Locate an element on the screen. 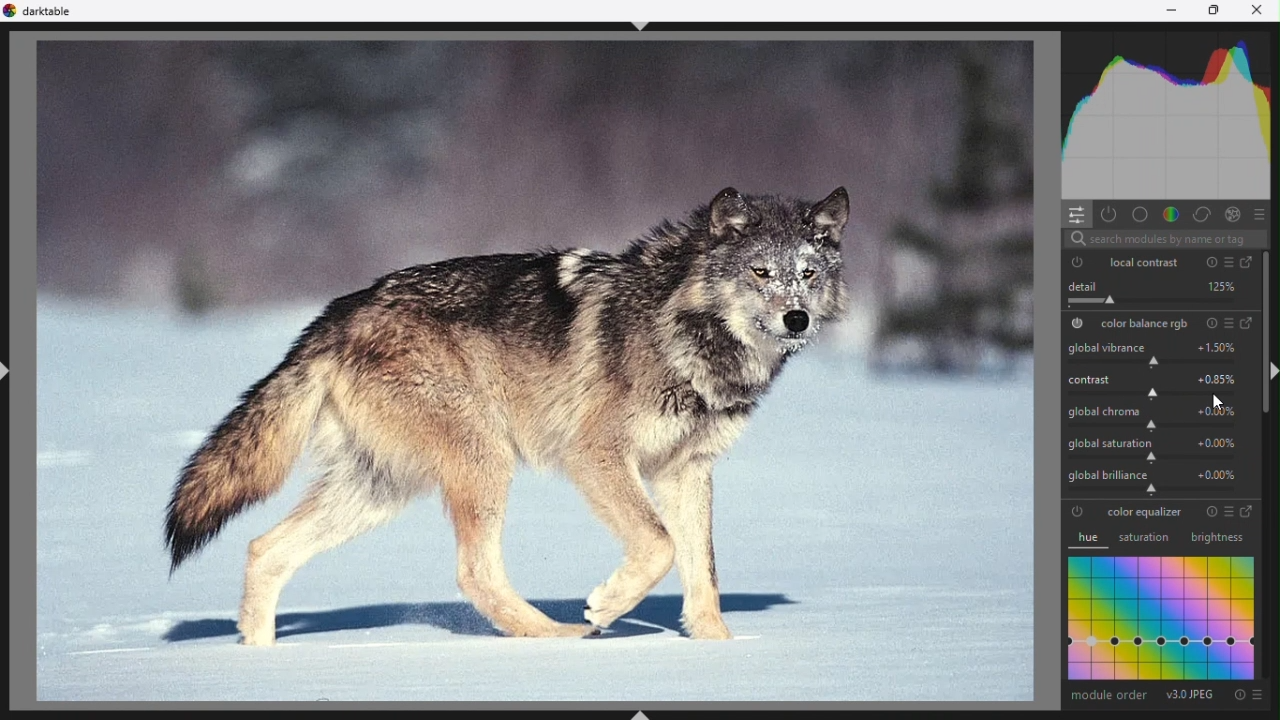 Image resolution: width=1280 pixels, height=720 pixels. histogram is located at coordinates (1171, 111).